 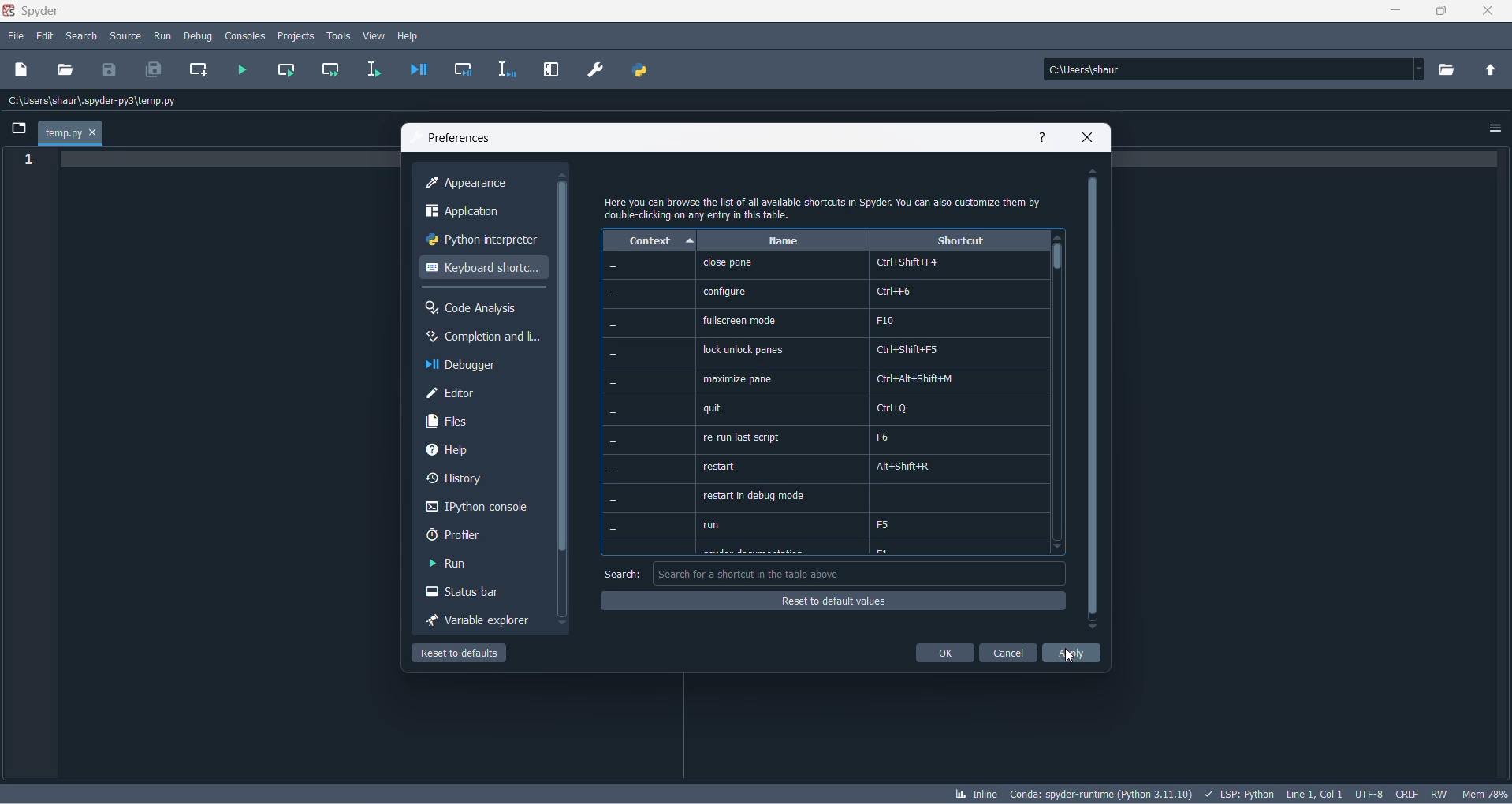 I want to click on open, so click(x=65, y=69).